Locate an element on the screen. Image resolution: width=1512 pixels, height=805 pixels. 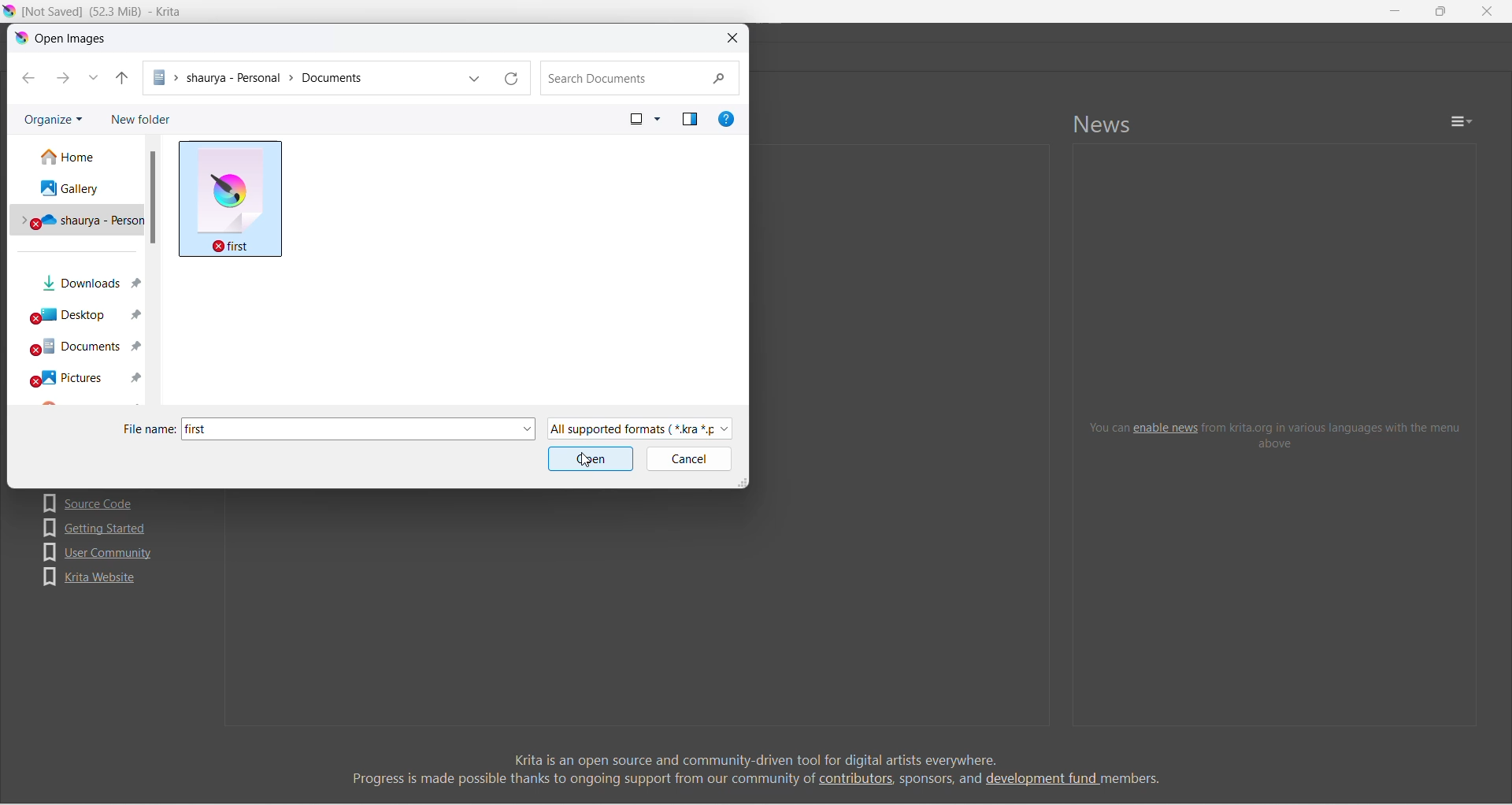
maximize is located at coordinates (1440, 11).